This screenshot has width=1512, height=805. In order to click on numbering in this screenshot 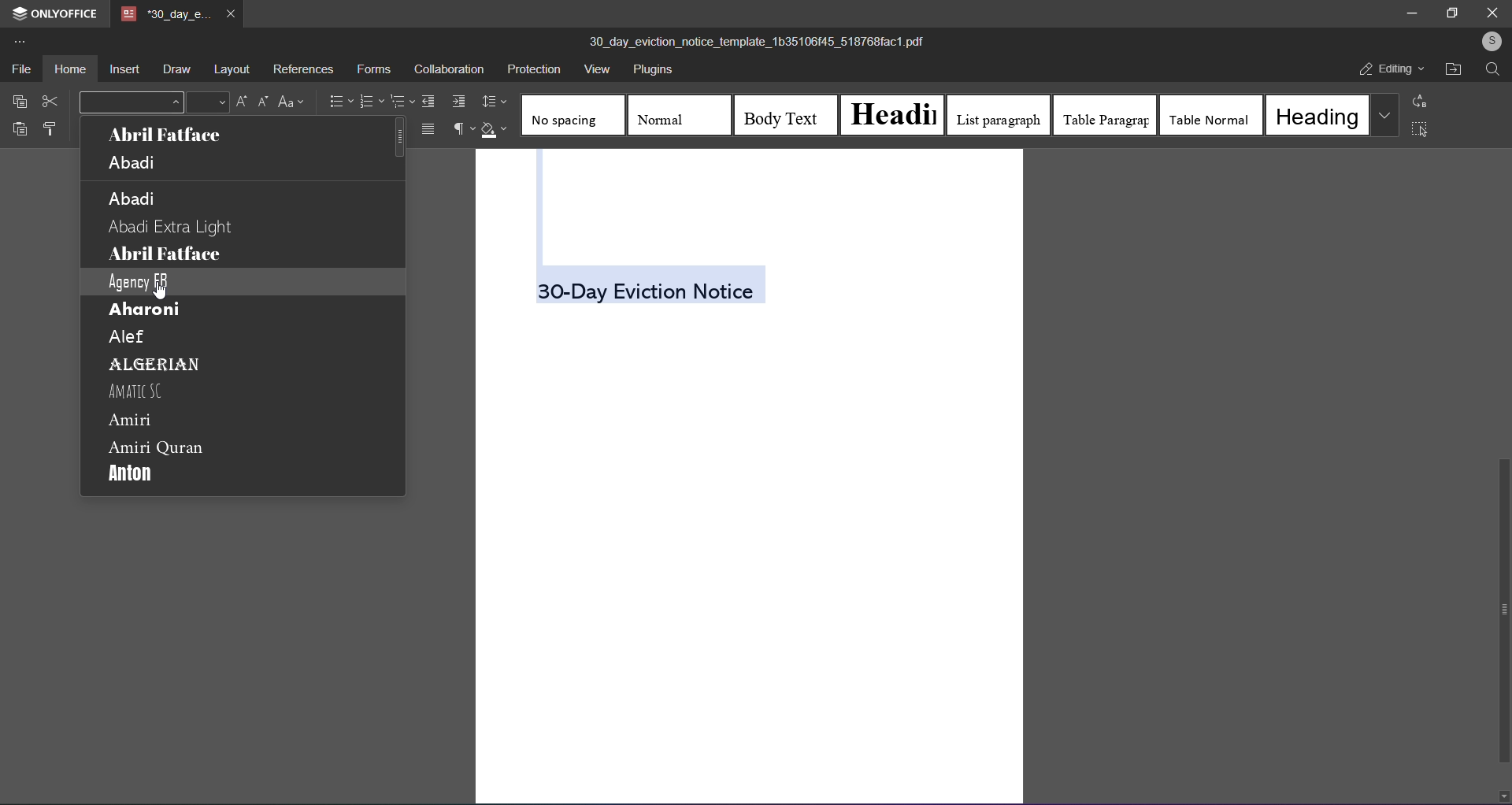, I will do `click(371, 100)`.